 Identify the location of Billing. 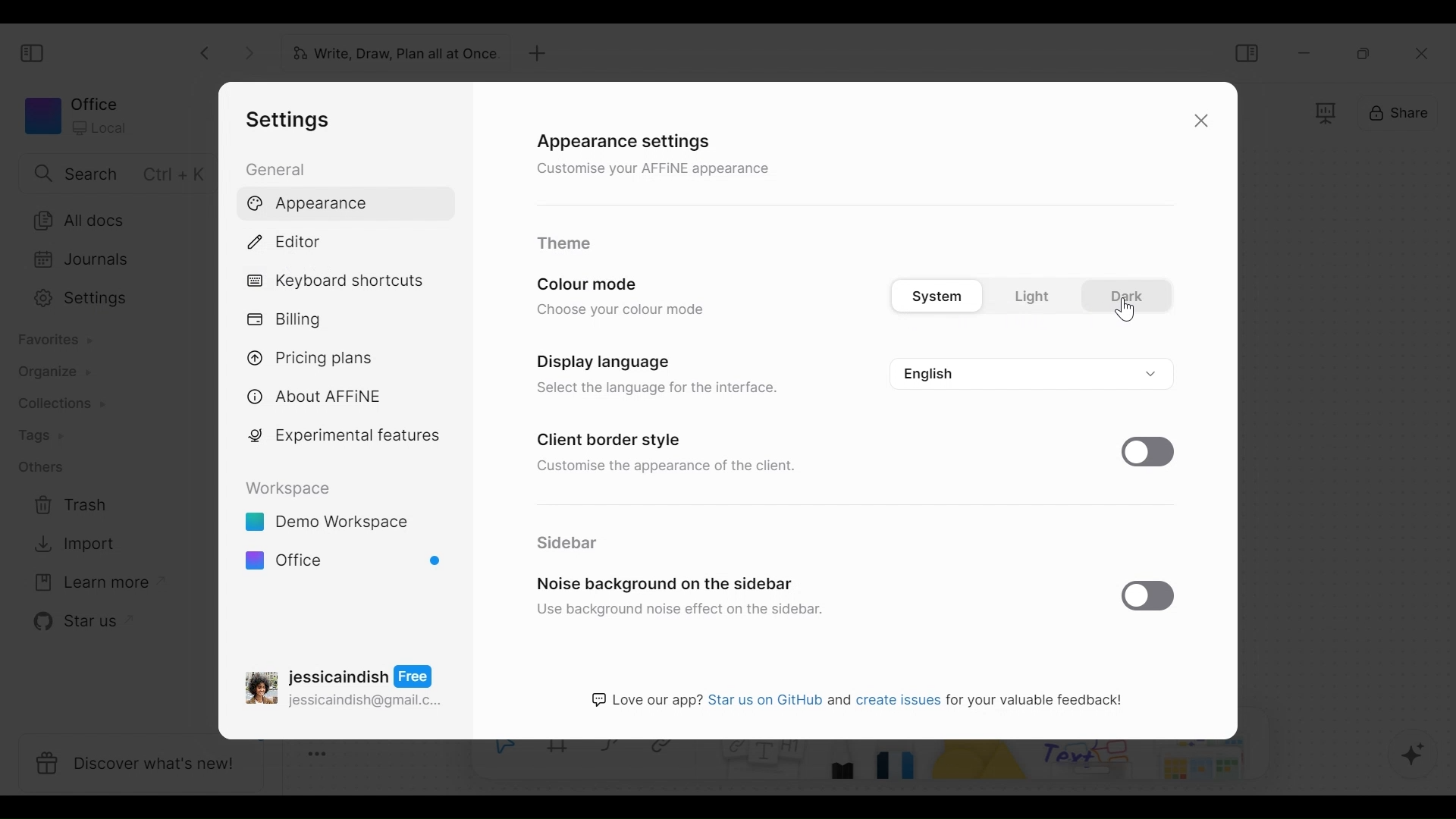
(287, 322).